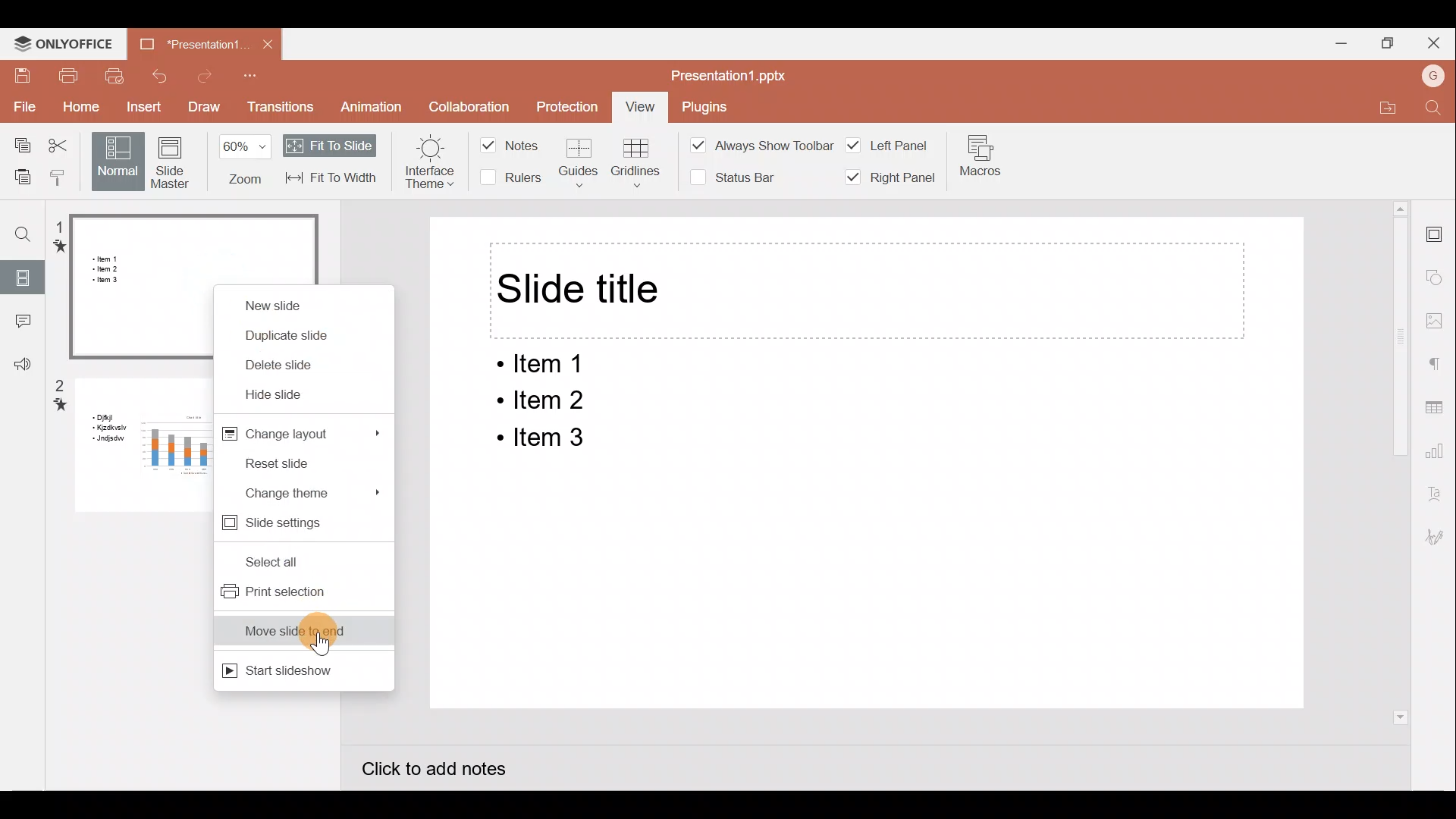 This screenshot has height=819, width=1456. I want to click on Hide slide, so click(302, 391).